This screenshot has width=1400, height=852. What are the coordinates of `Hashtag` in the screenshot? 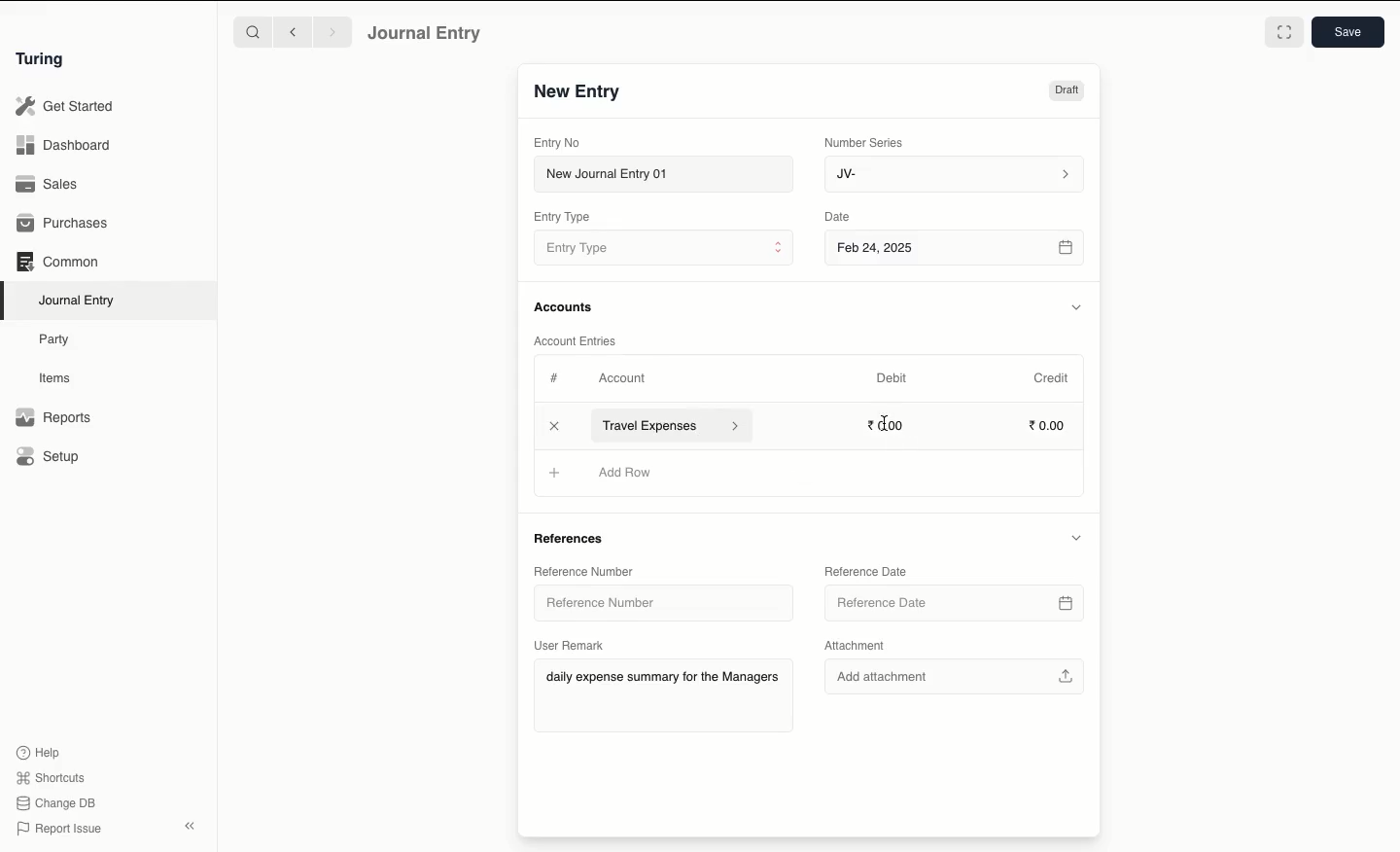 It's located at (556, 377).